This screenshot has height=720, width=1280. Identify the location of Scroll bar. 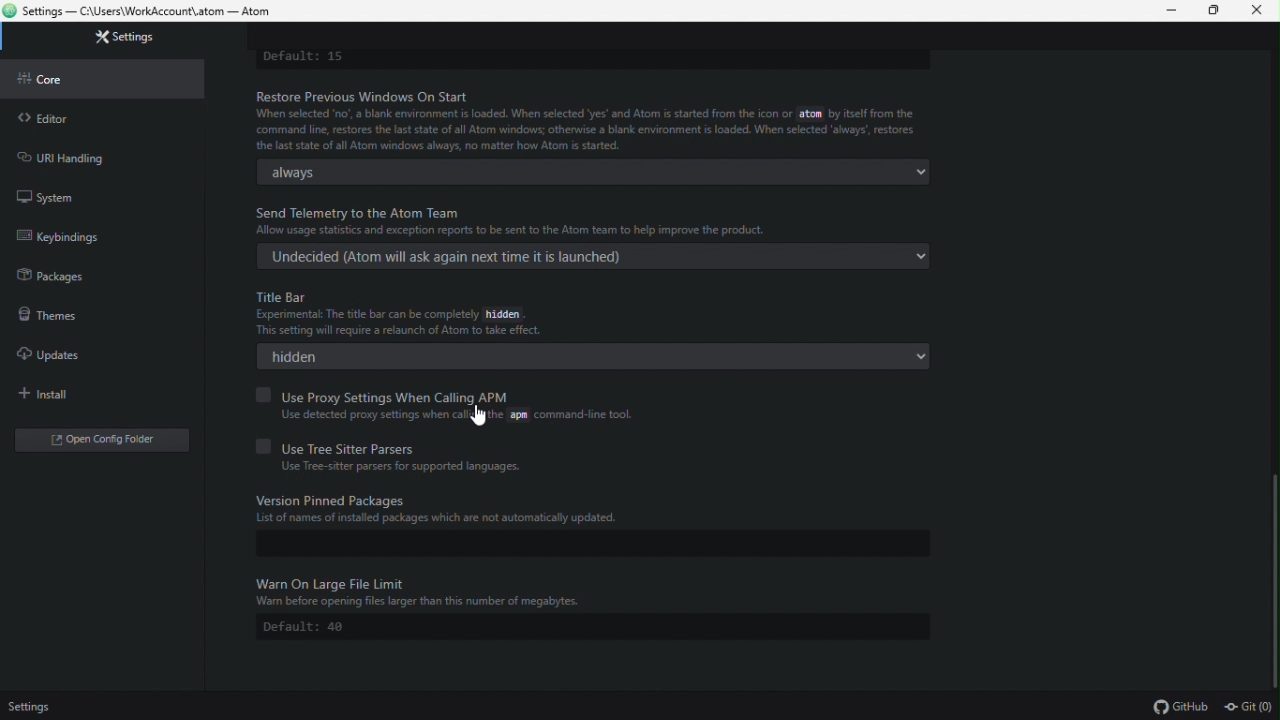
(1272, 578).